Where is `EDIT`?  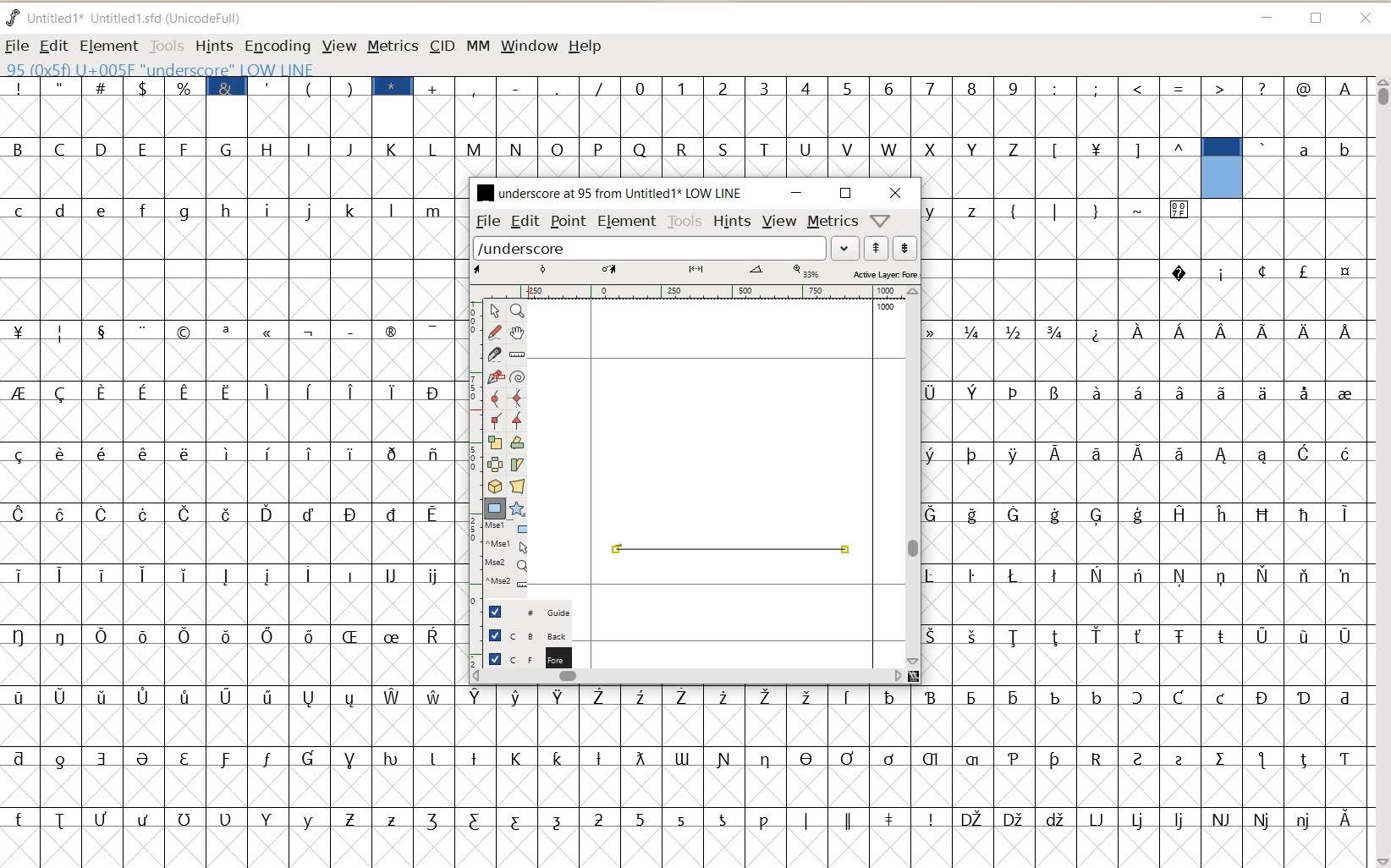 EDIT is located at coordinates (52, 47).